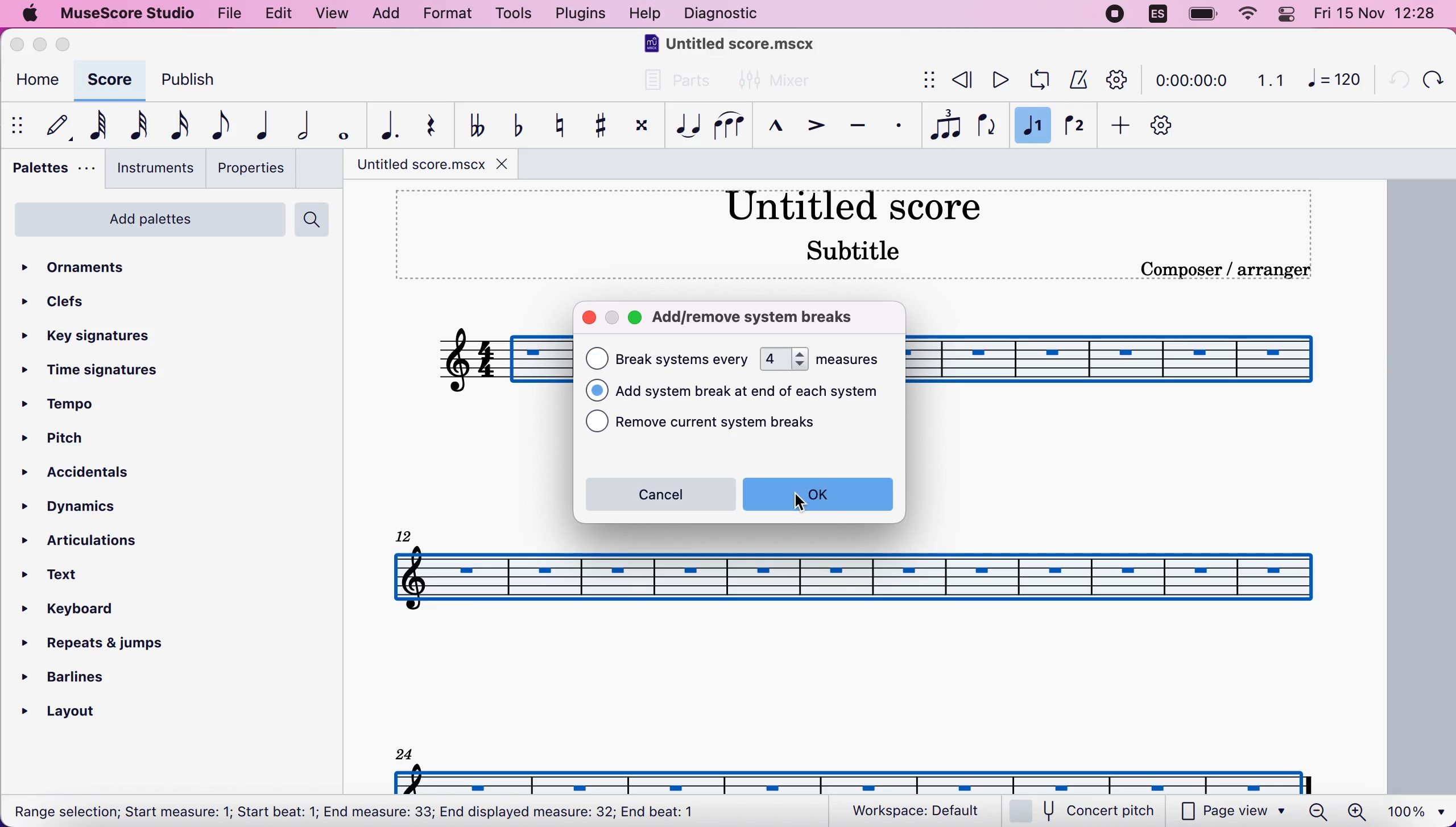 This screenshot has width=1456, height=827. Describe the element at coordinates (645, 15) in the screenshot. I see `help` at that location.